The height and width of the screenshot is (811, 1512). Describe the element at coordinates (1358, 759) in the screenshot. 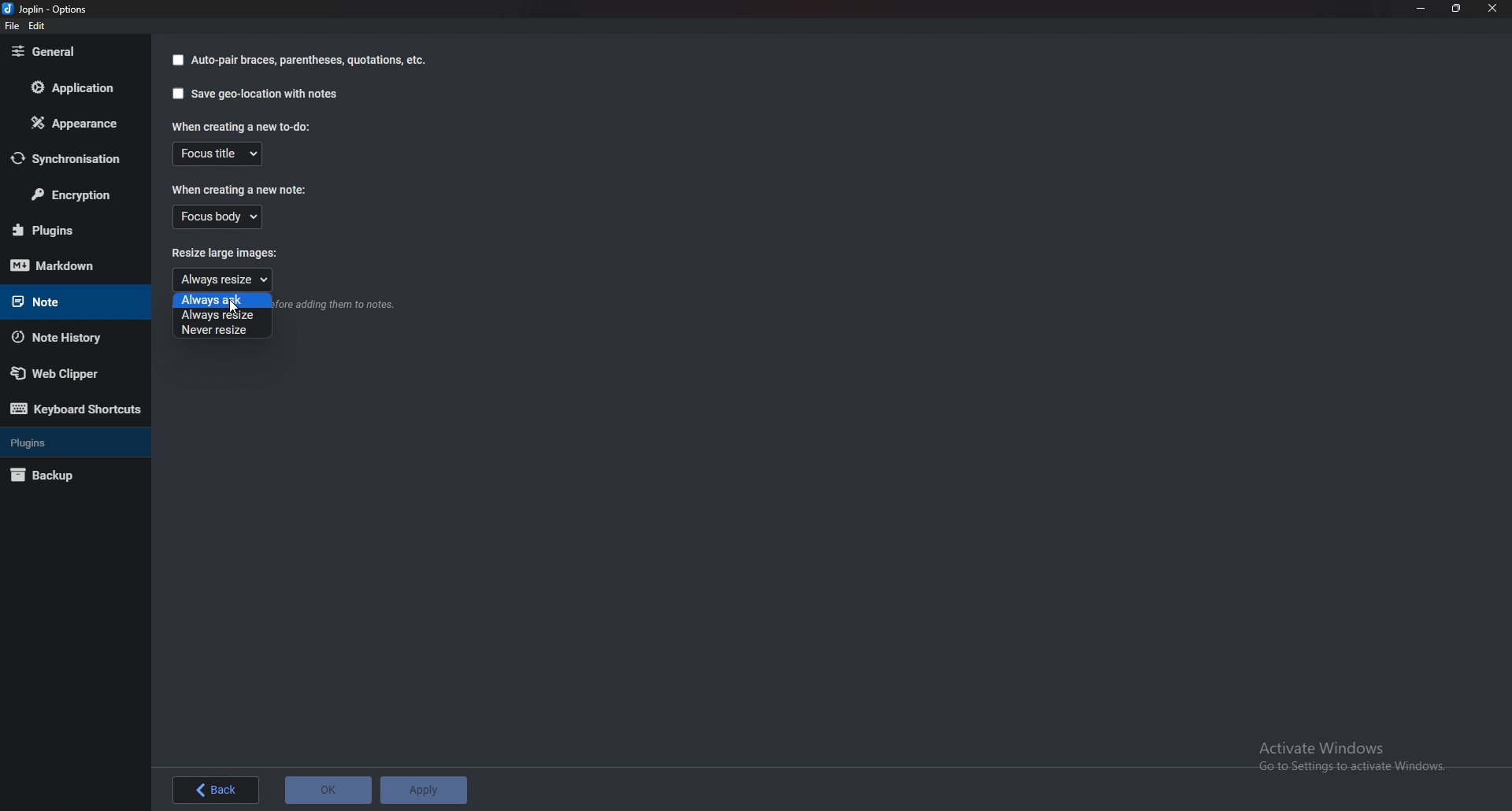

I see `Activate Windows
Go to Settings to activate Windows.` at that location.